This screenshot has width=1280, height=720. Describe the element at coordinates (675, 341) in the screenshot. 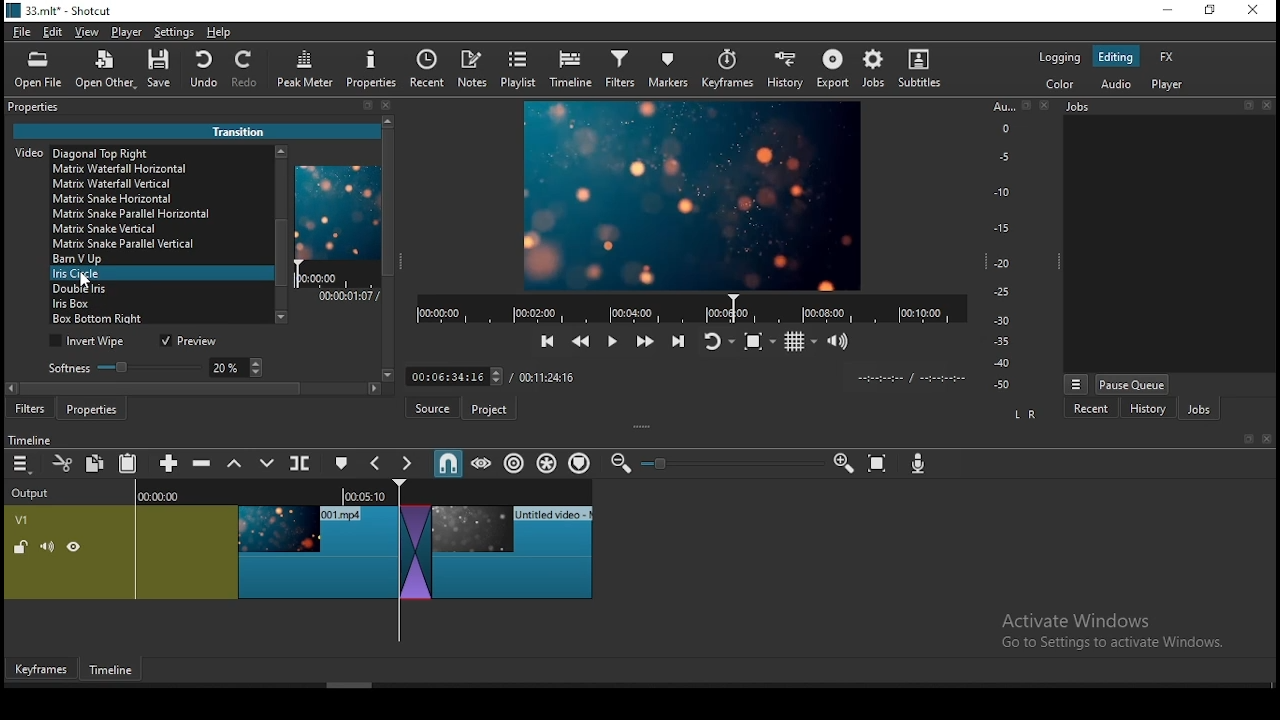

I see `skip to next point` at that location.